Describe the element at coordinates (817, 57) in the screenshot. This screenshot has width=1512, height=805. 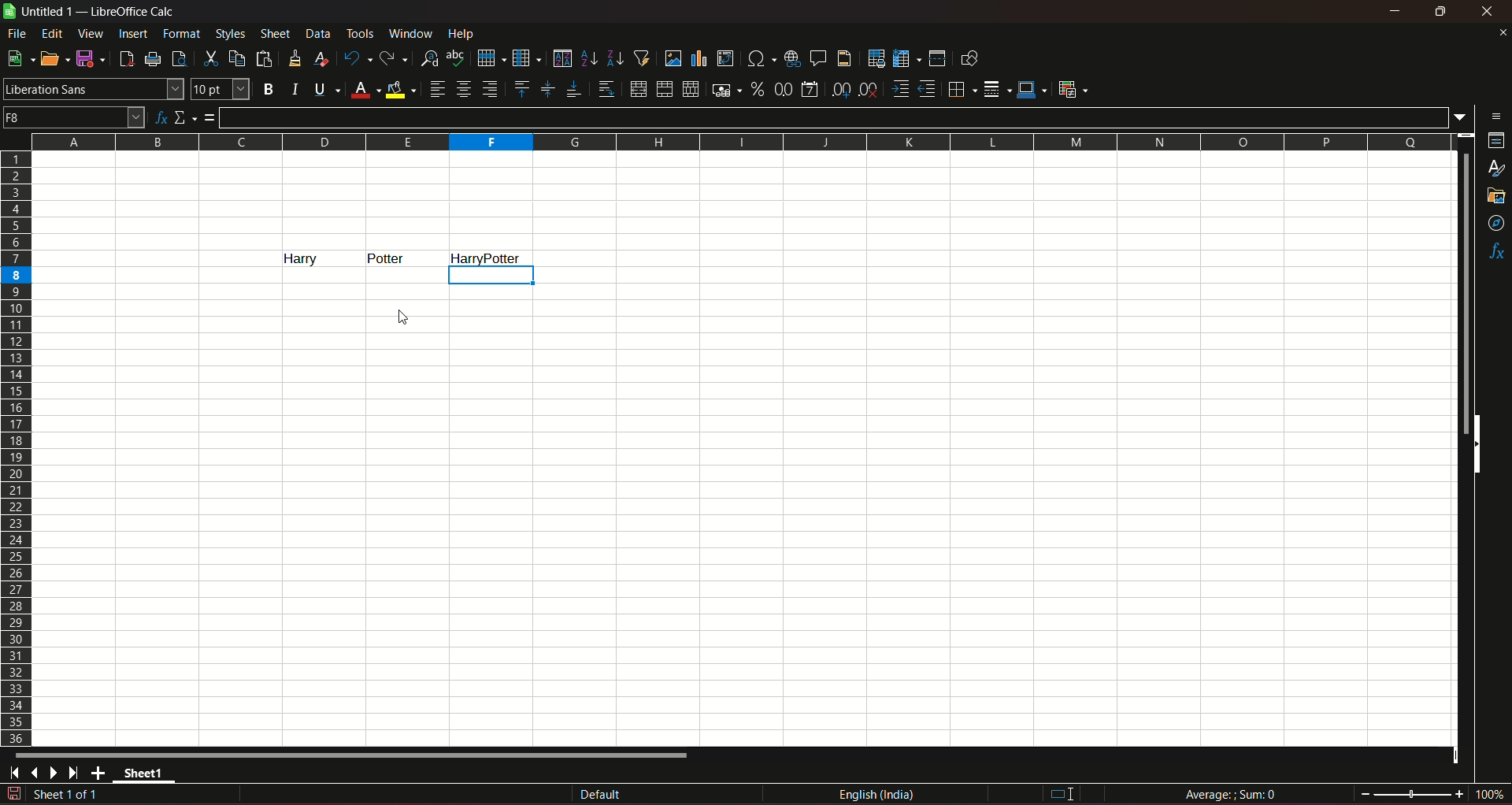
I see `insert comment` at that location.